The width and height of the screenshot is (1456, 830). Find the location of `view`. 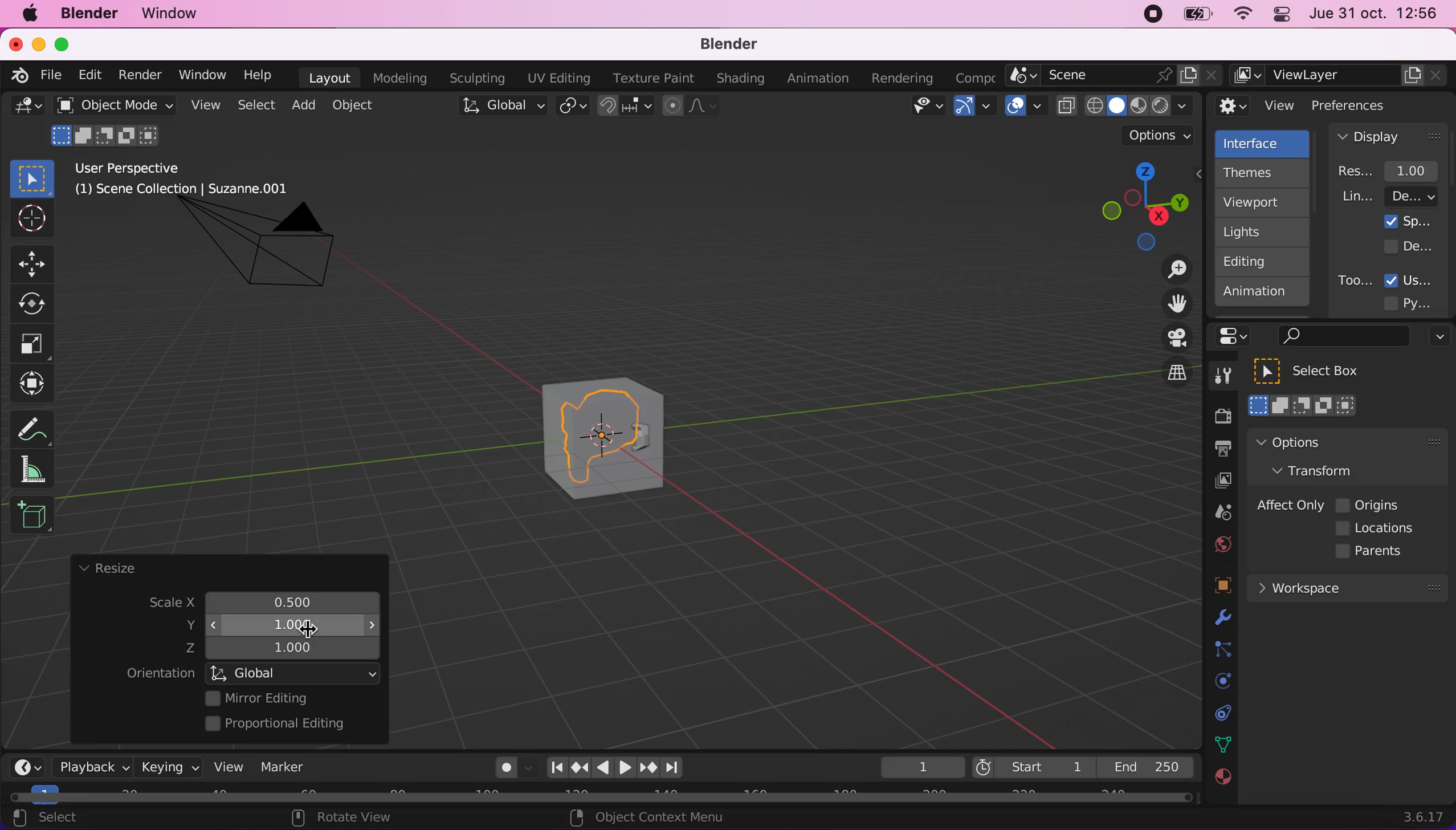

view is located at coordinates (1256, 106).